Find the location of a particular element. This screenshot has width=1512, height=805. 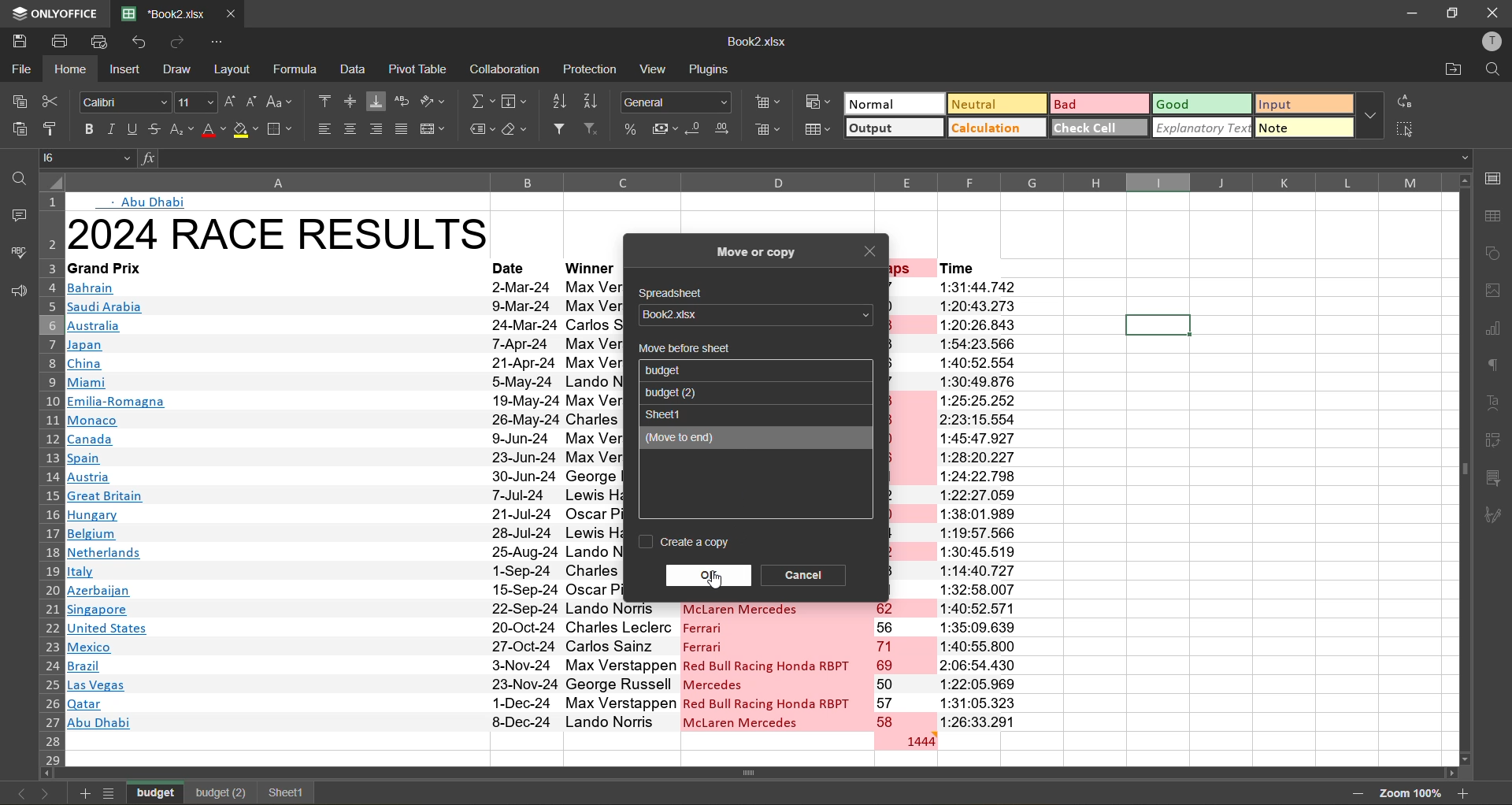

select all is located at coordinates (1406, 129).